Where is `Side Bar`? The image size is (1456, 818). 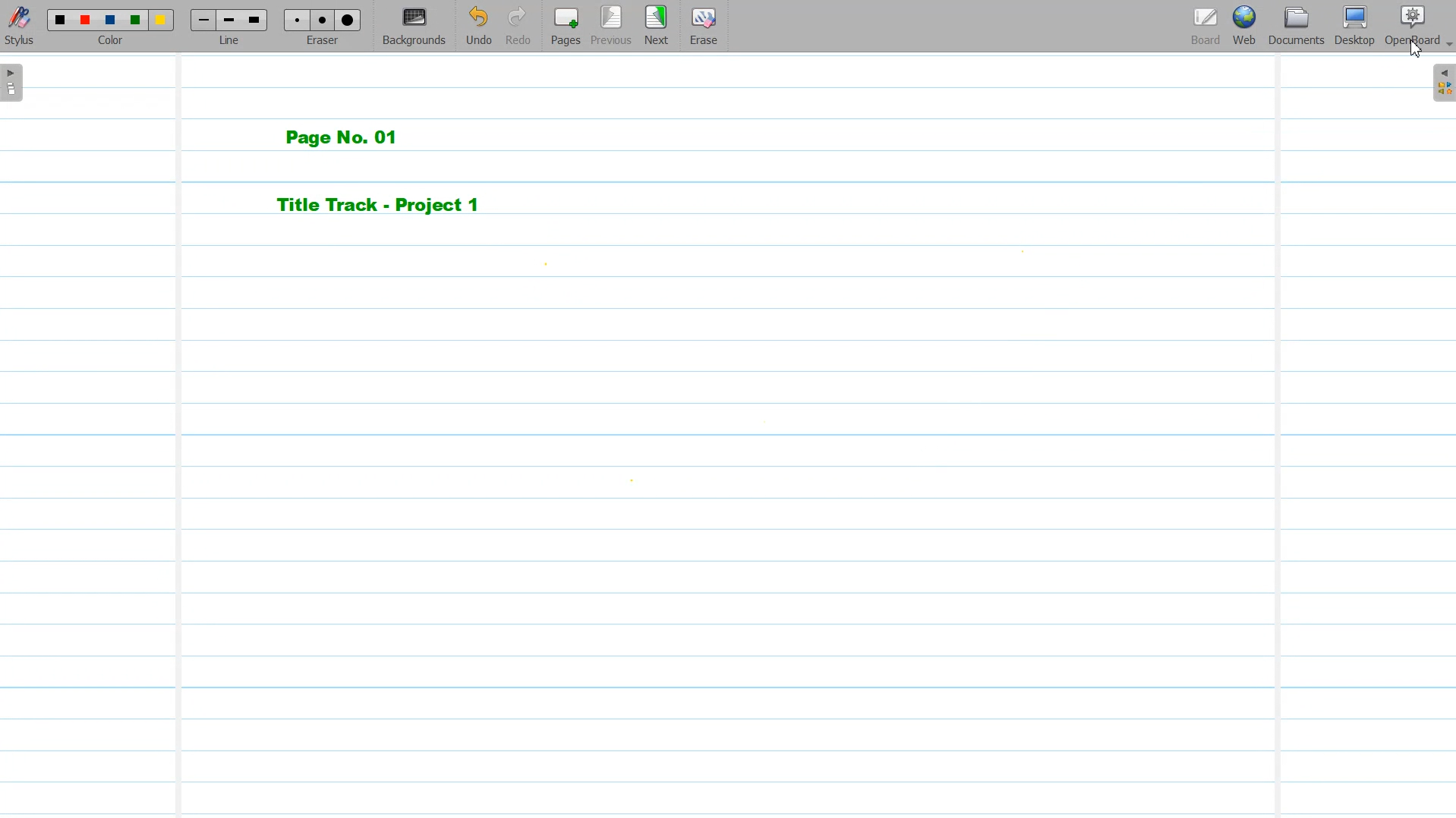
Side Bar is located at coordinates (1442, 82).